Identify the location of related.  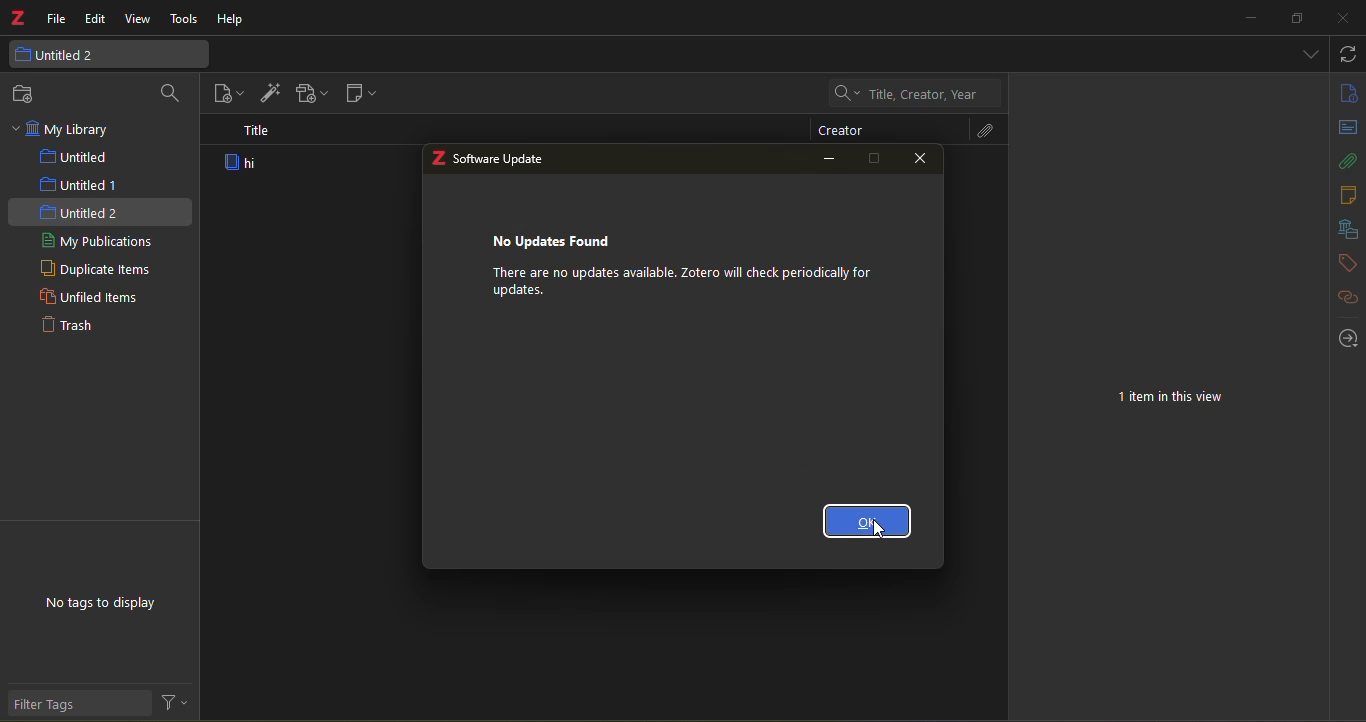
(1345, 297).